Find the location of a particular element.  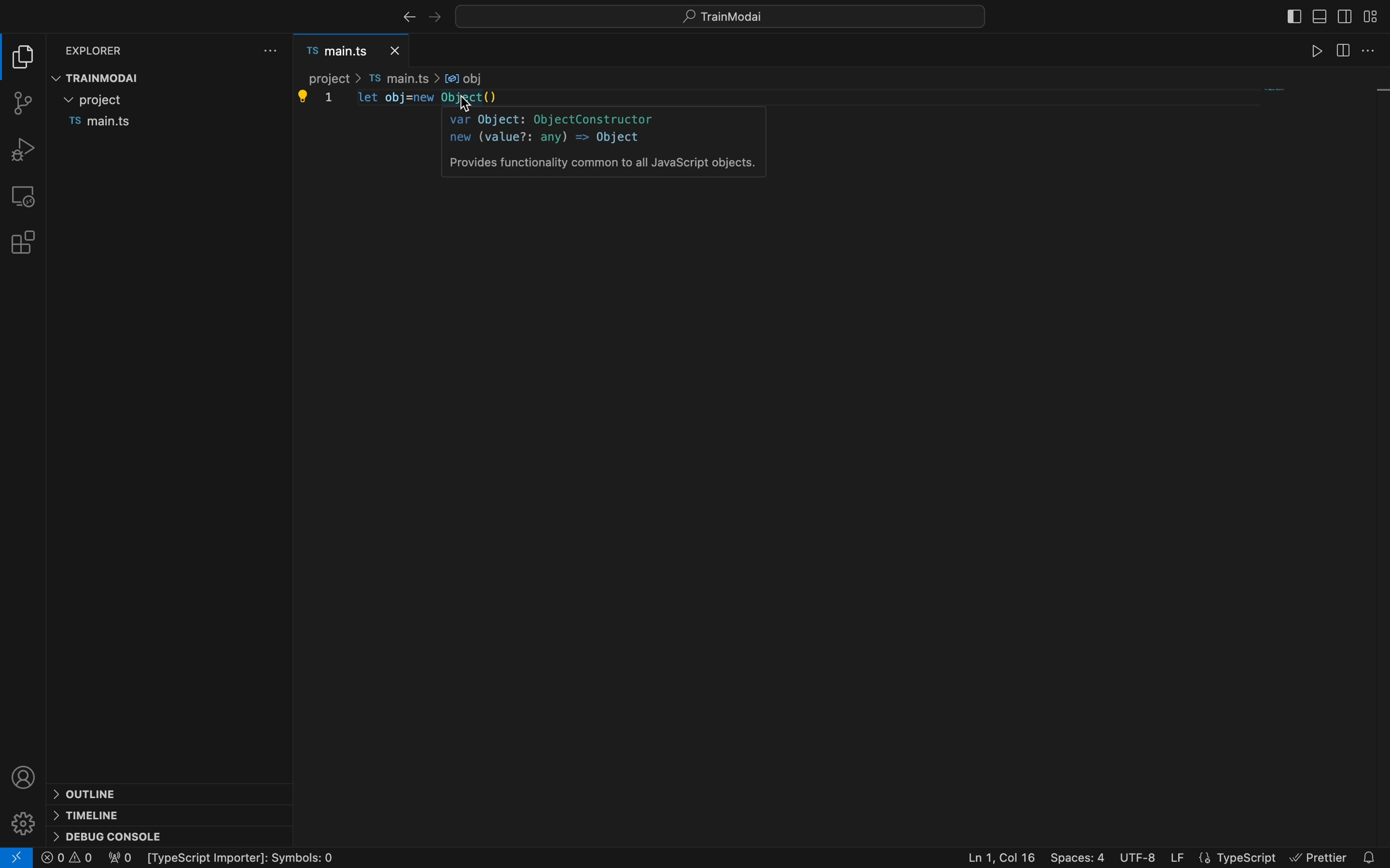

error logs is located at coordinates (173, 858).